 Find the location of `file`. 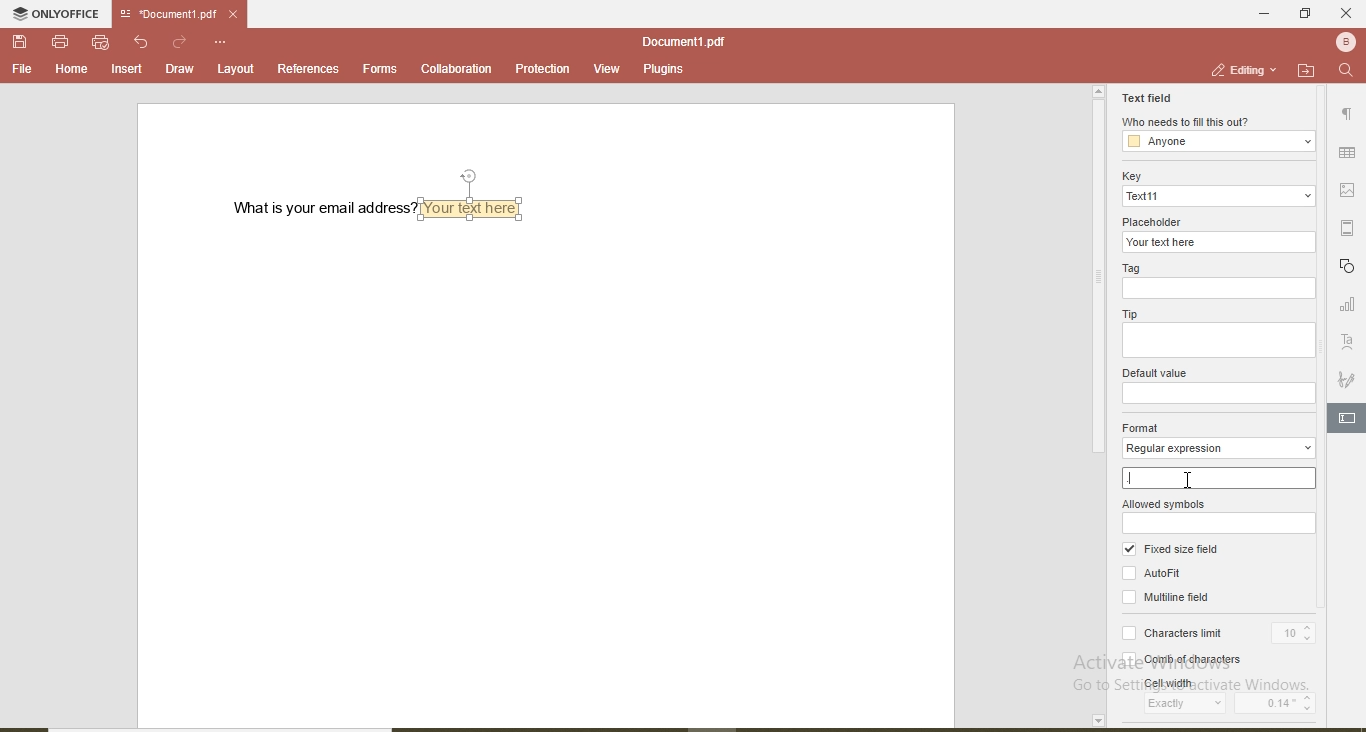

file is located at coordinates (22, 69).